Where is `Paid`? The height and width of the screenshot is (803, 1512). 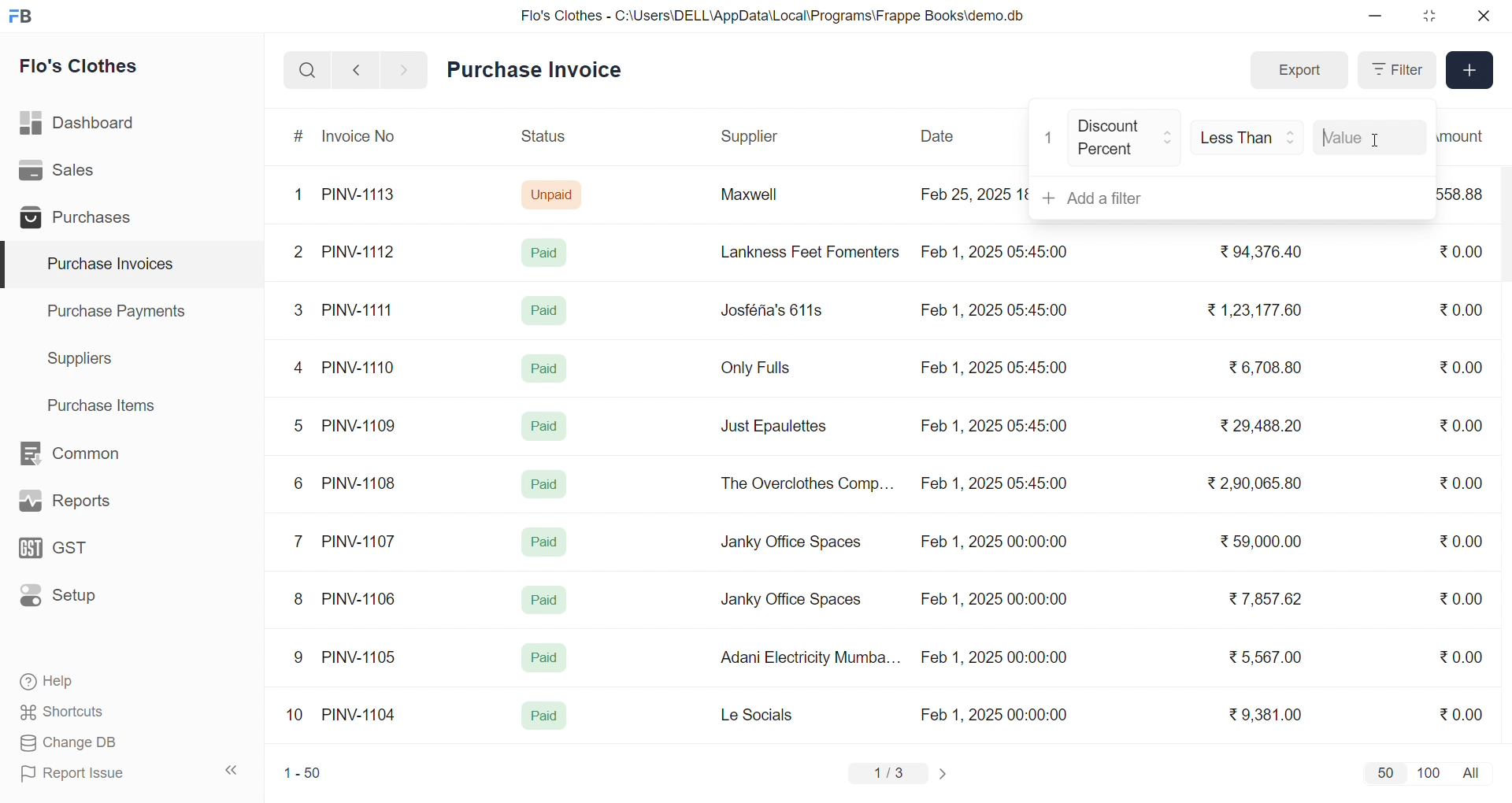 Paid is located at coordinates (547, 424).